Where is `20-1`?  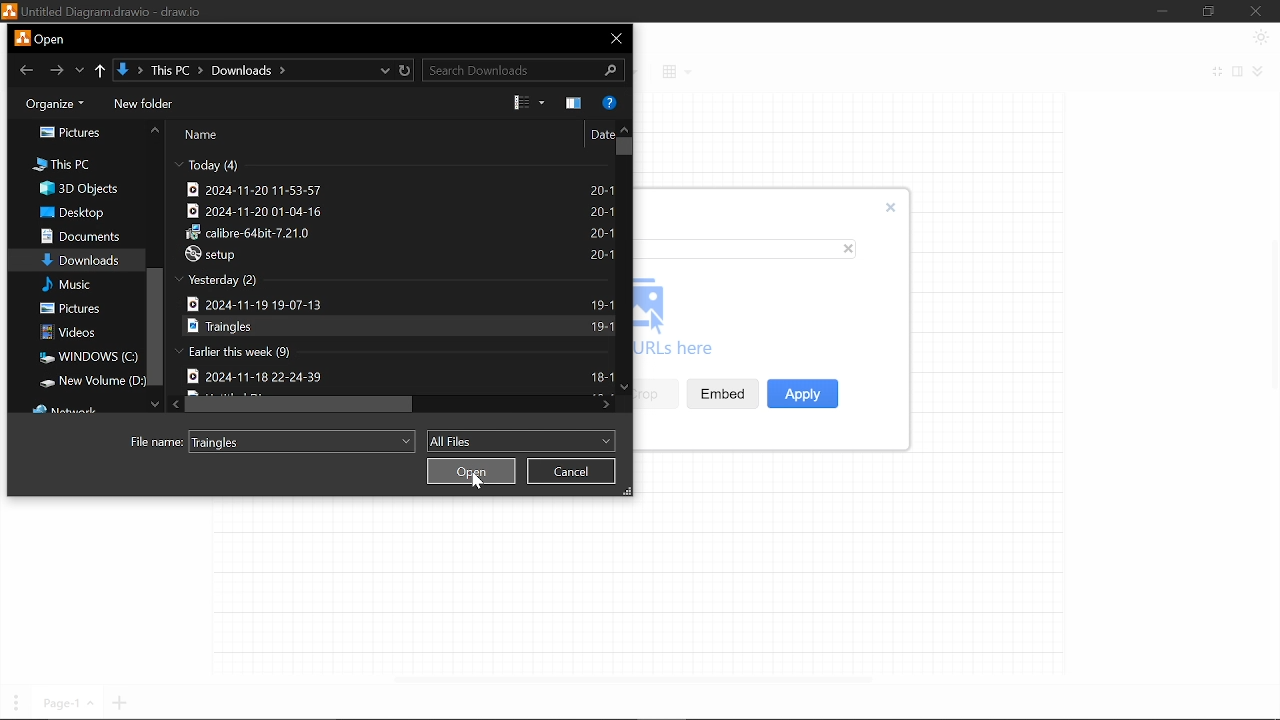 20-1 is located at coordinates (603, 213).